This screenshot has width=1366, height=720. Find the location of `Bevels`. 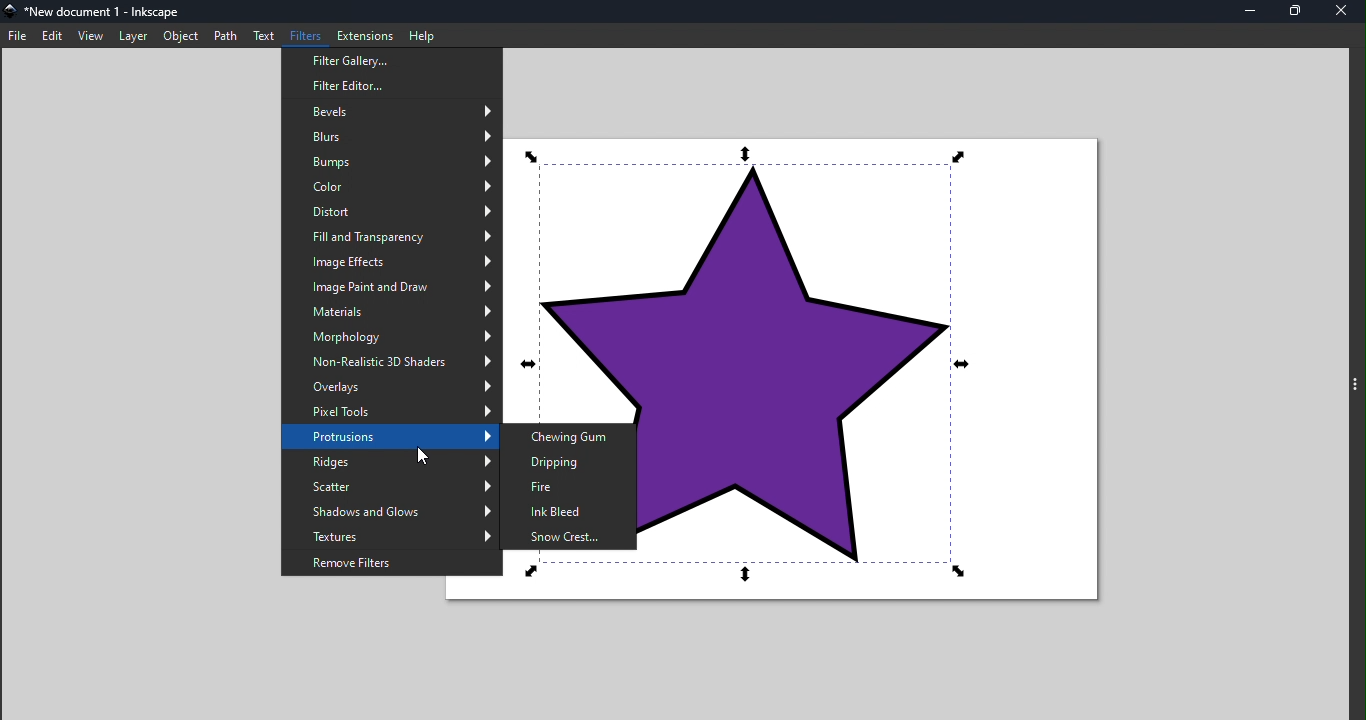

Bevels is located at coordinates (392, 113).